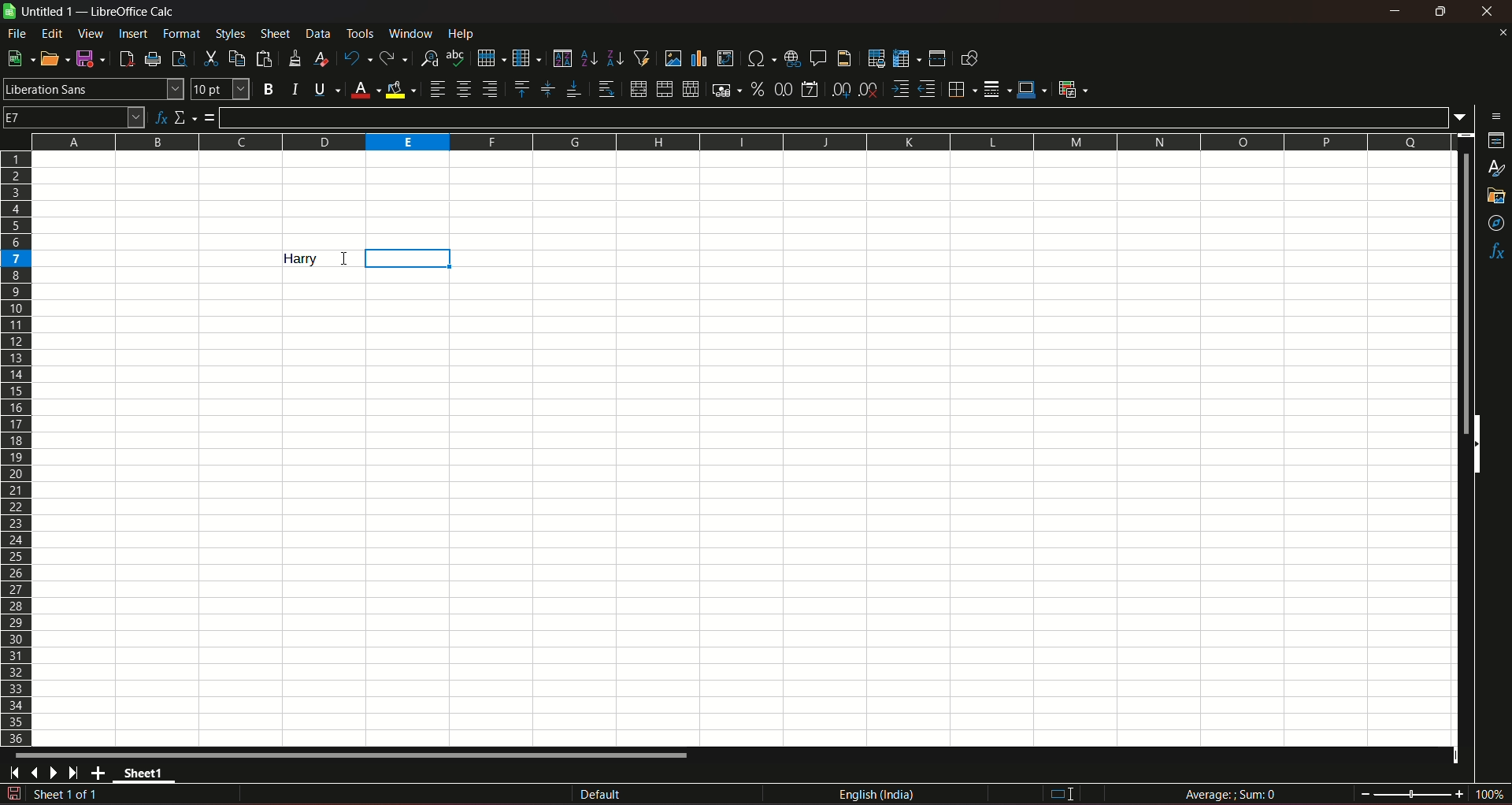 This screenshot has width=1512, height=805. I want to click on print, so click(154, 61).